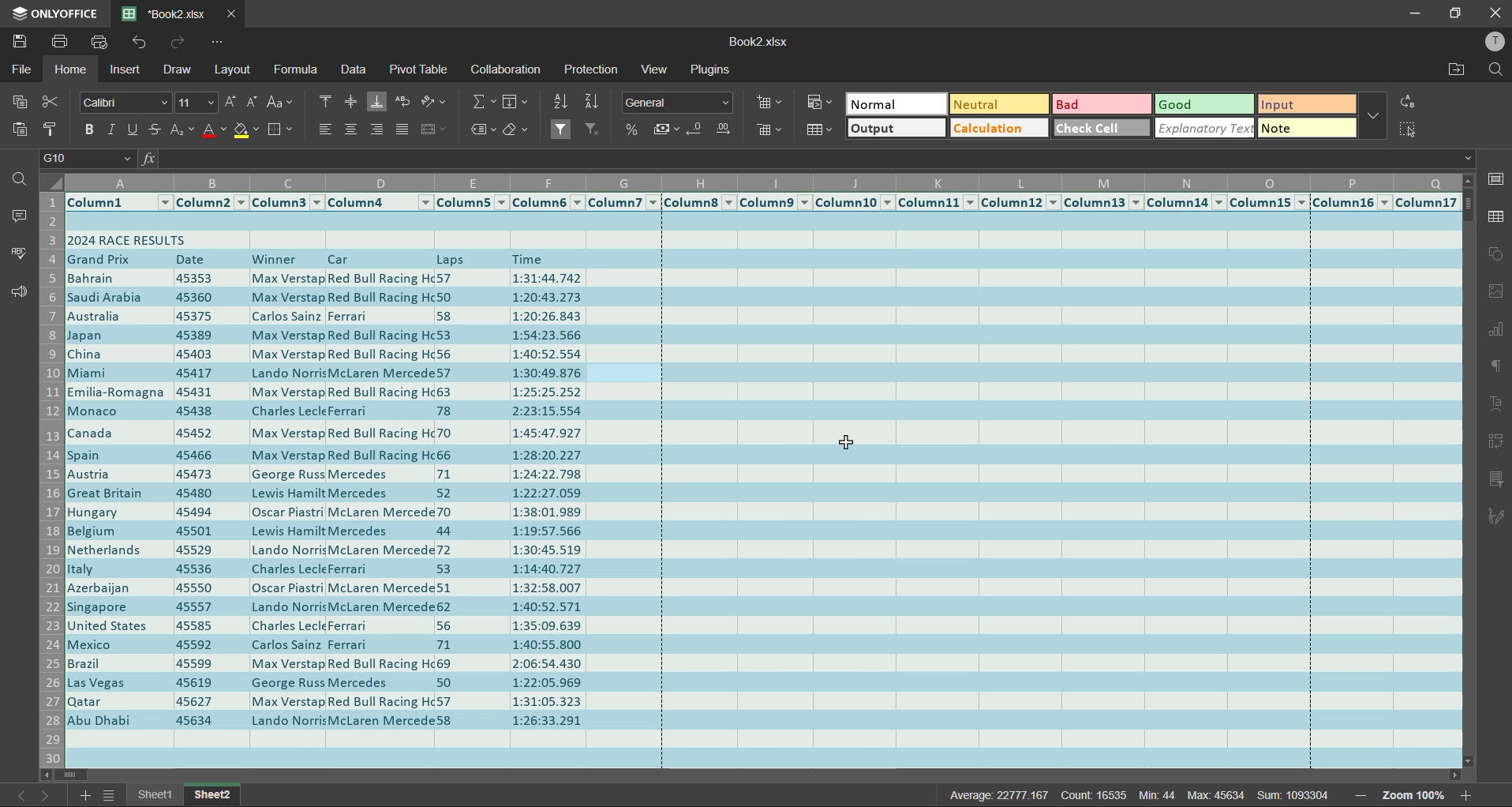  I want to click on bad, so click(1099, 106).